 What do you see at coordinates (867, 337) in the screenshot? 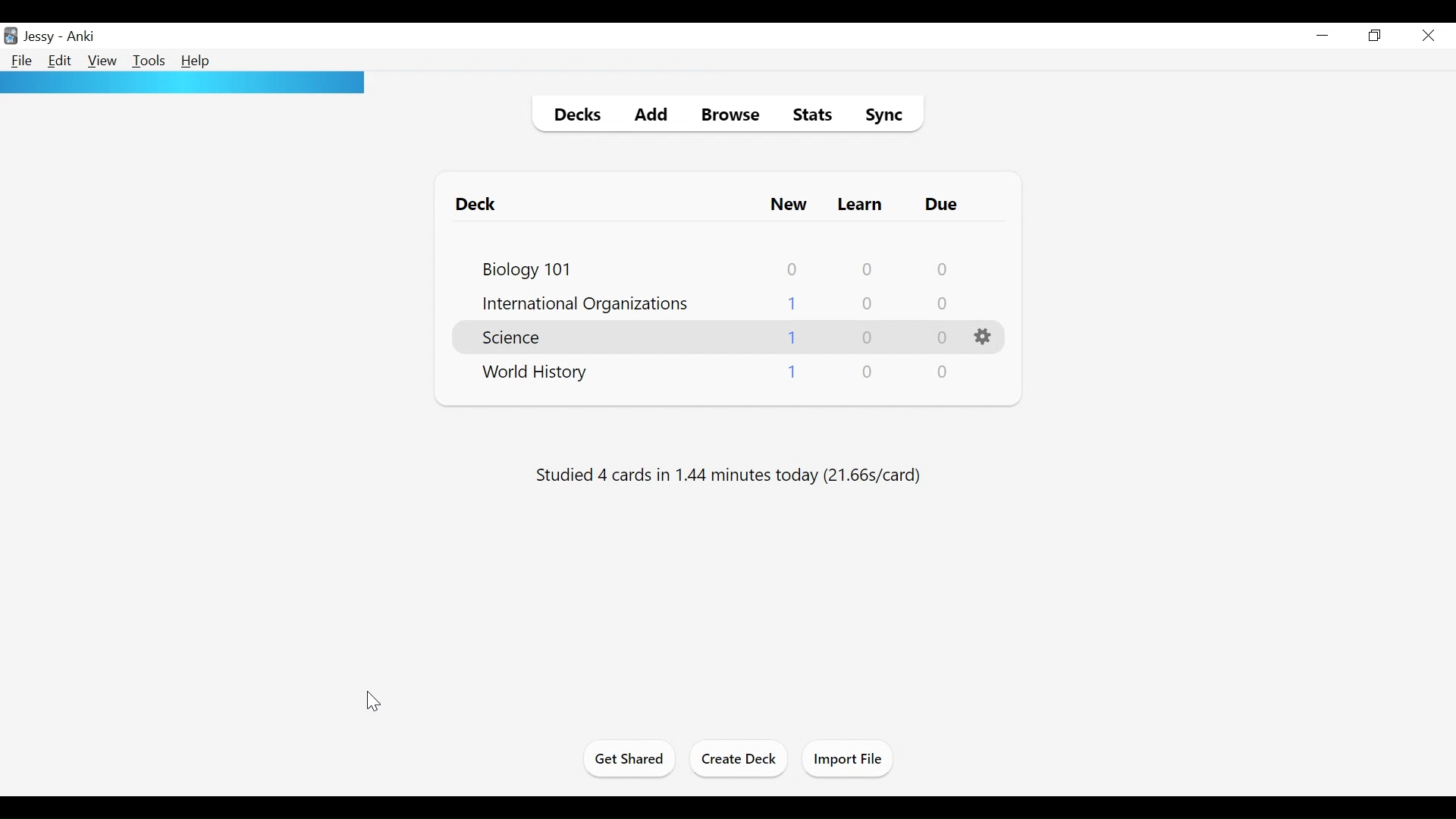
I see `Learn Cards Count` at bounding box center [867, 337].